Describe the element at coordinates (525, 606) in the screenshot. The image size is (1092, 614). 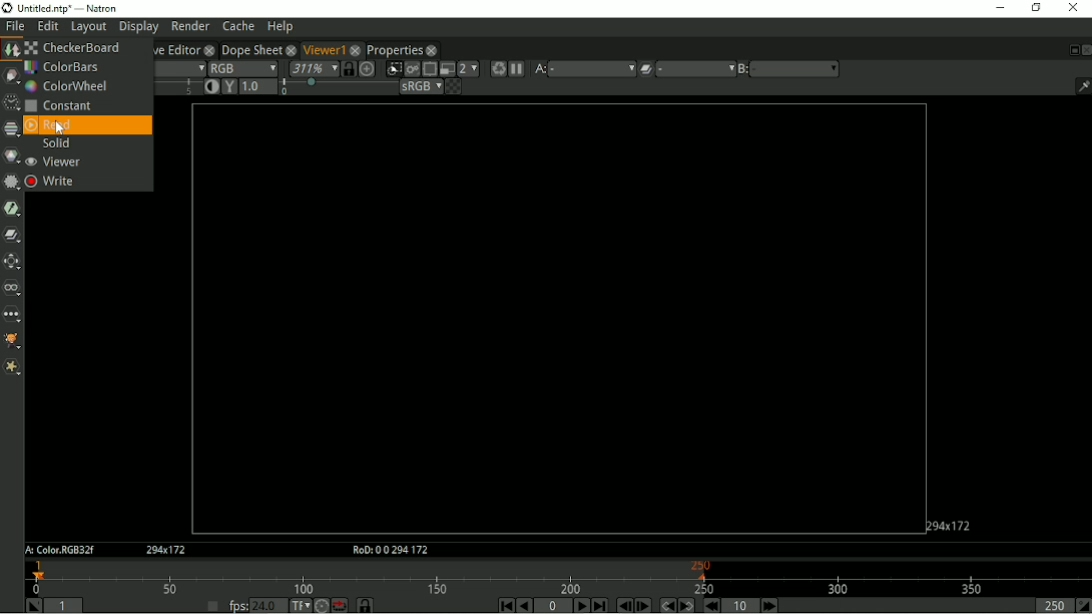
I see `Play backward` at that location.